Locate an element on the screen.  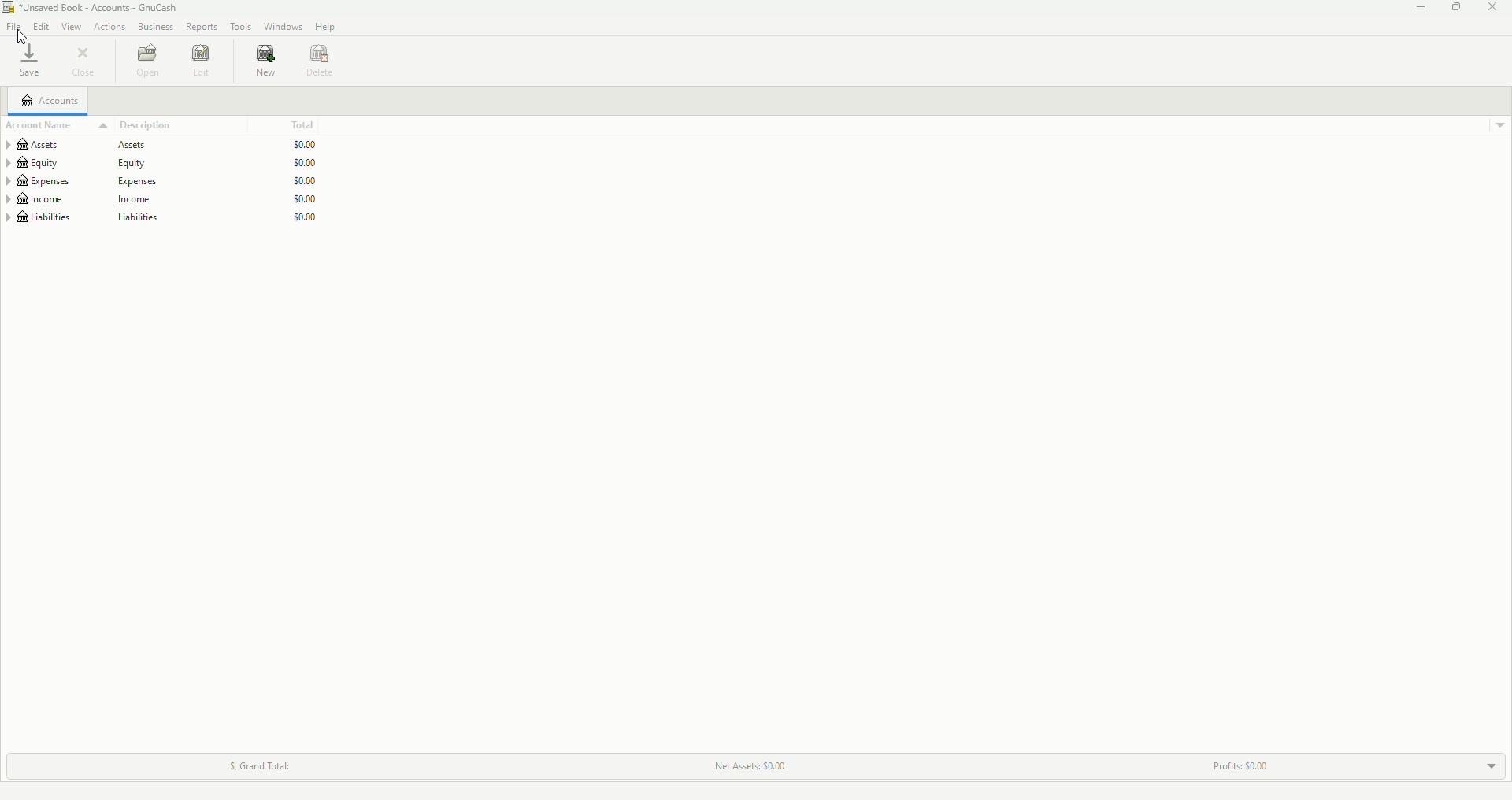
Help is located at coordinates (325, 27).